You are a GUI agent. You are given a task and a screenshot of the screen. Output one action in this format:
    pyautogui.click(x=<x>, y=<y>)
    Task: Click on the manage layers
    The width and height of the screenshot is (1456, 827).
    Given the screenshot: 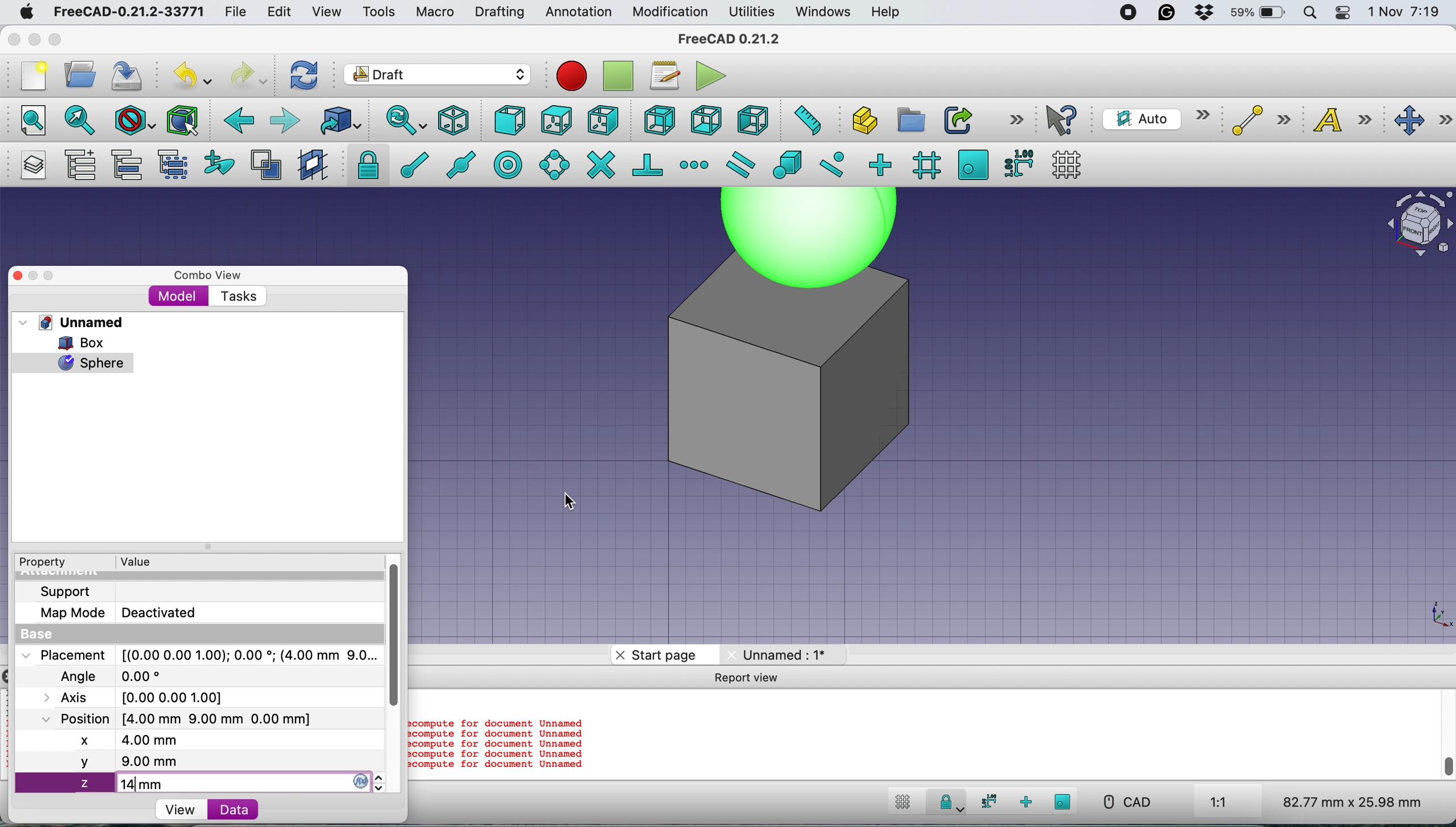 What is the action you would take?
    pyautogui.click(x=30, y=165)
    